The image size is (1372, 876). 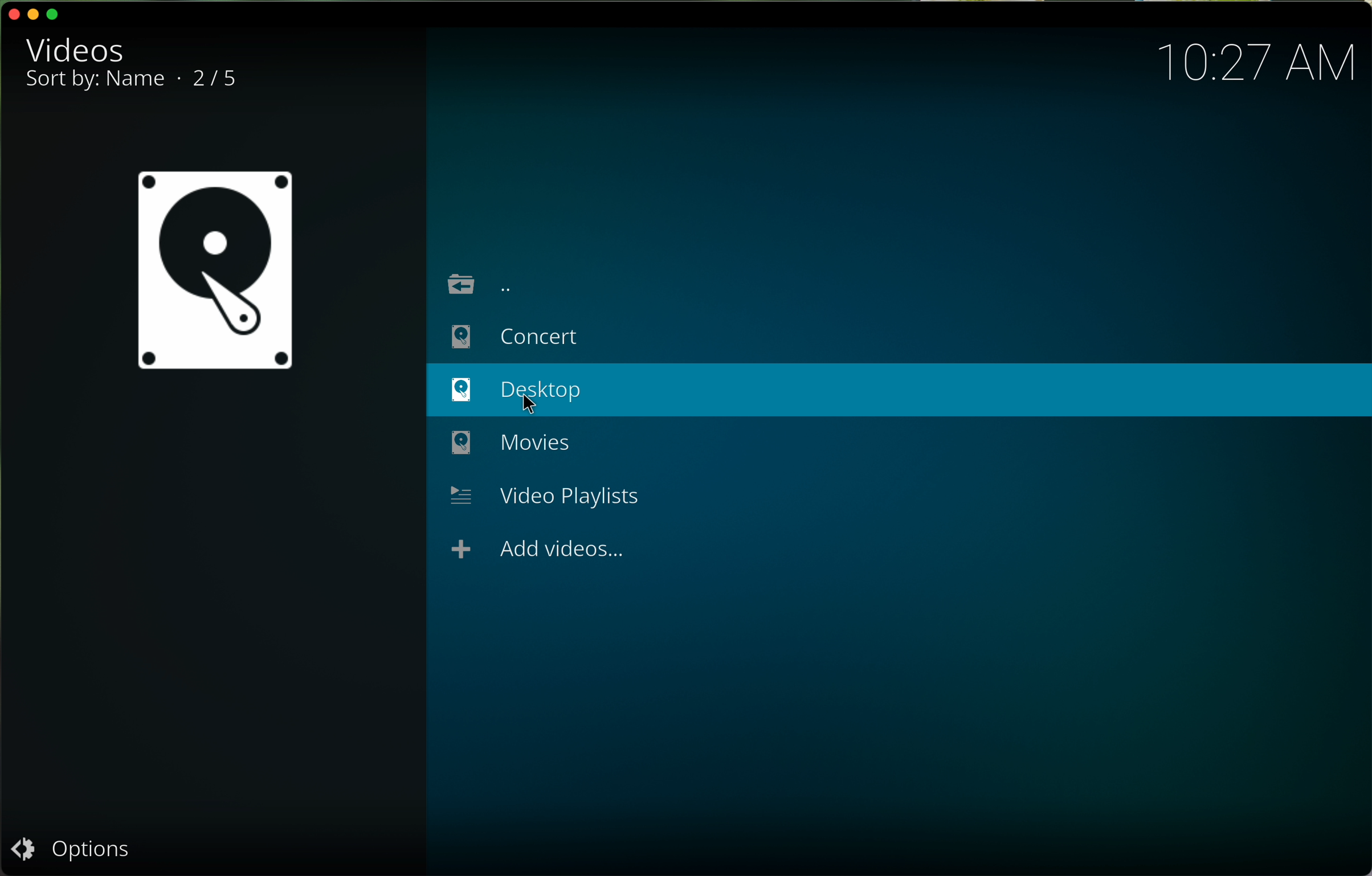 I want to click on cursor, so click(x=534, y=406).